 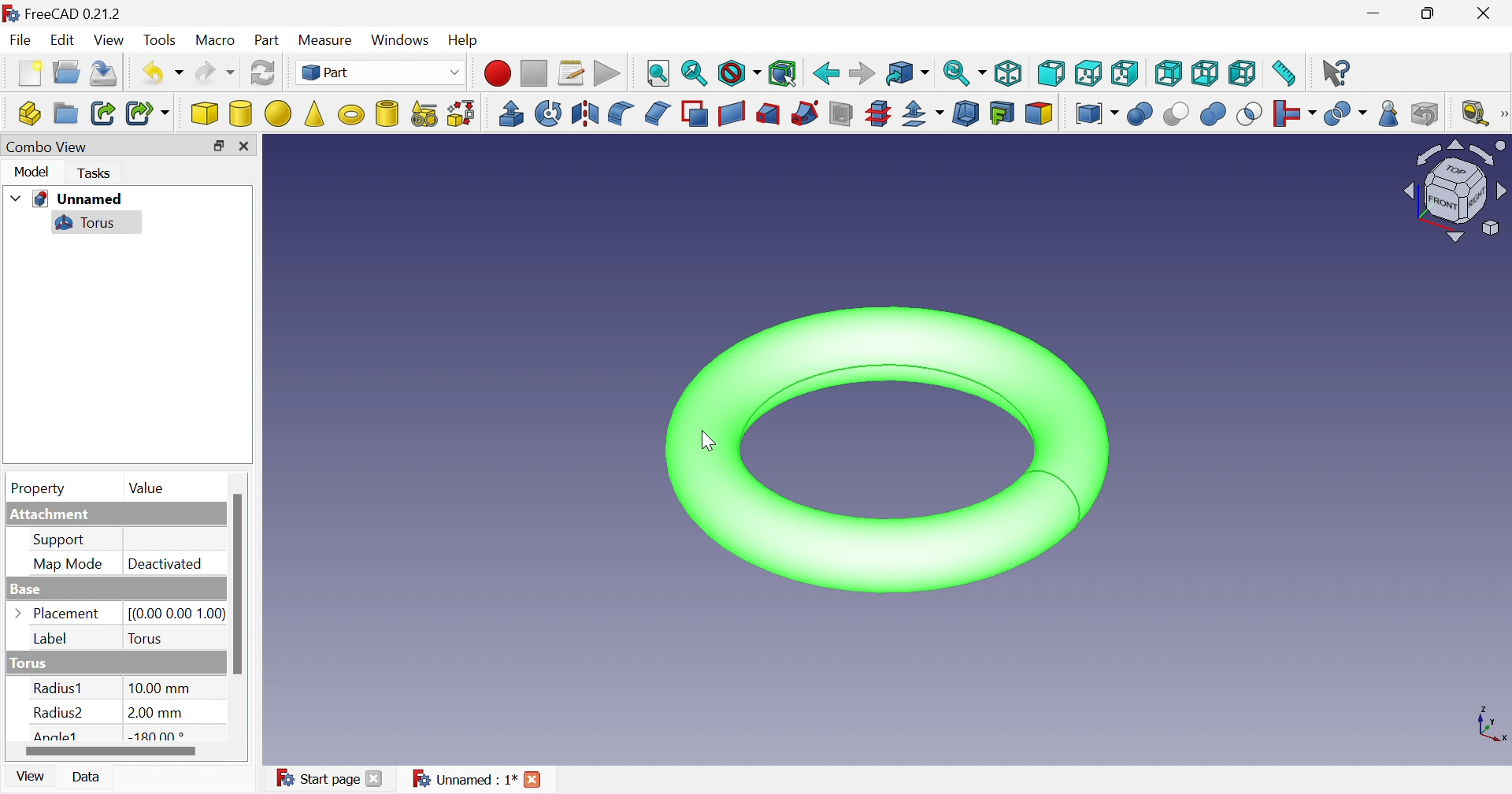 What do you see at coordinates (54, 515) in the screenshot?
I see `Attachment` at bounding box center [54, 515].